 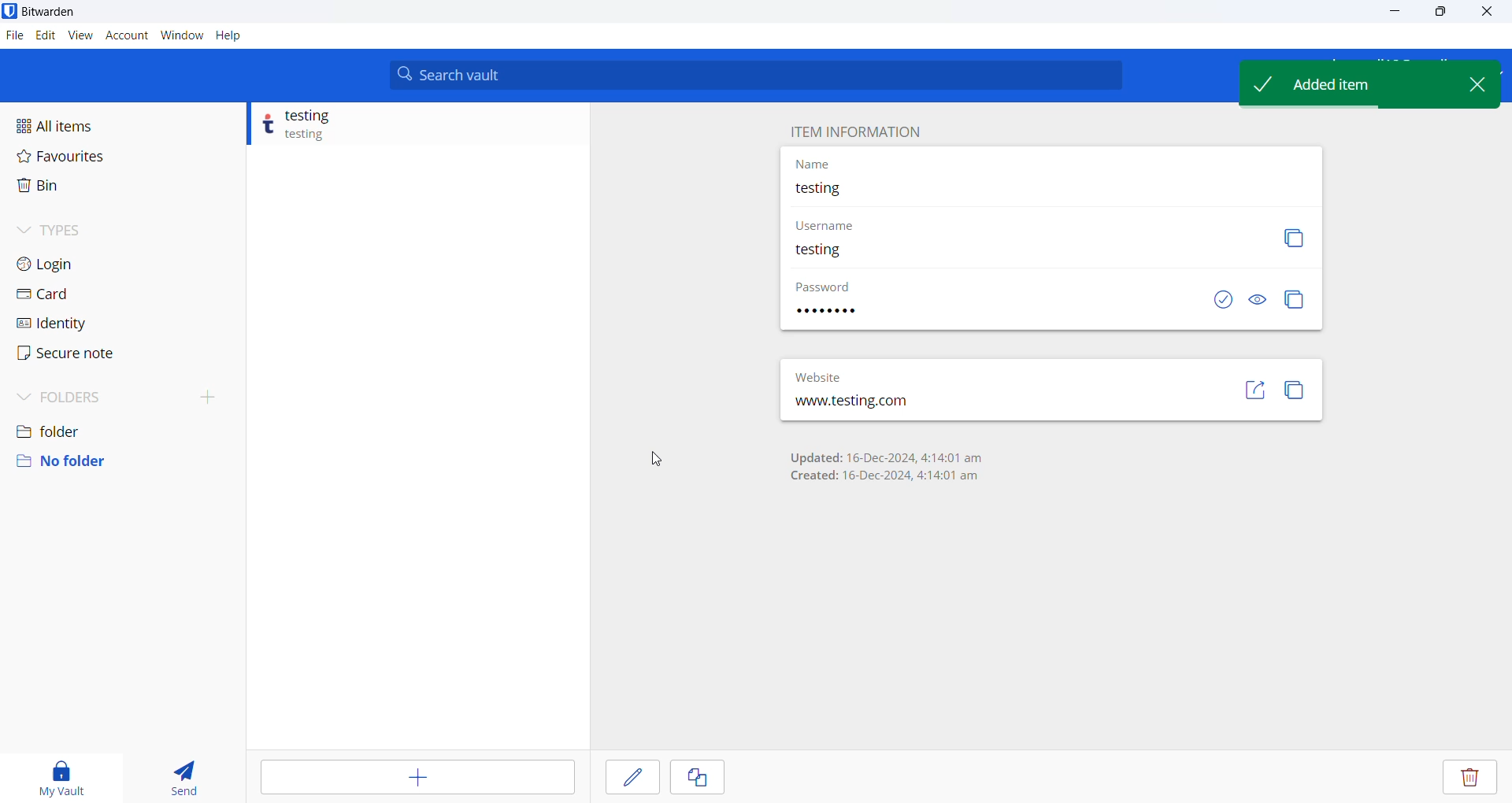 I want to click on bin, so click(x=82, y=191).